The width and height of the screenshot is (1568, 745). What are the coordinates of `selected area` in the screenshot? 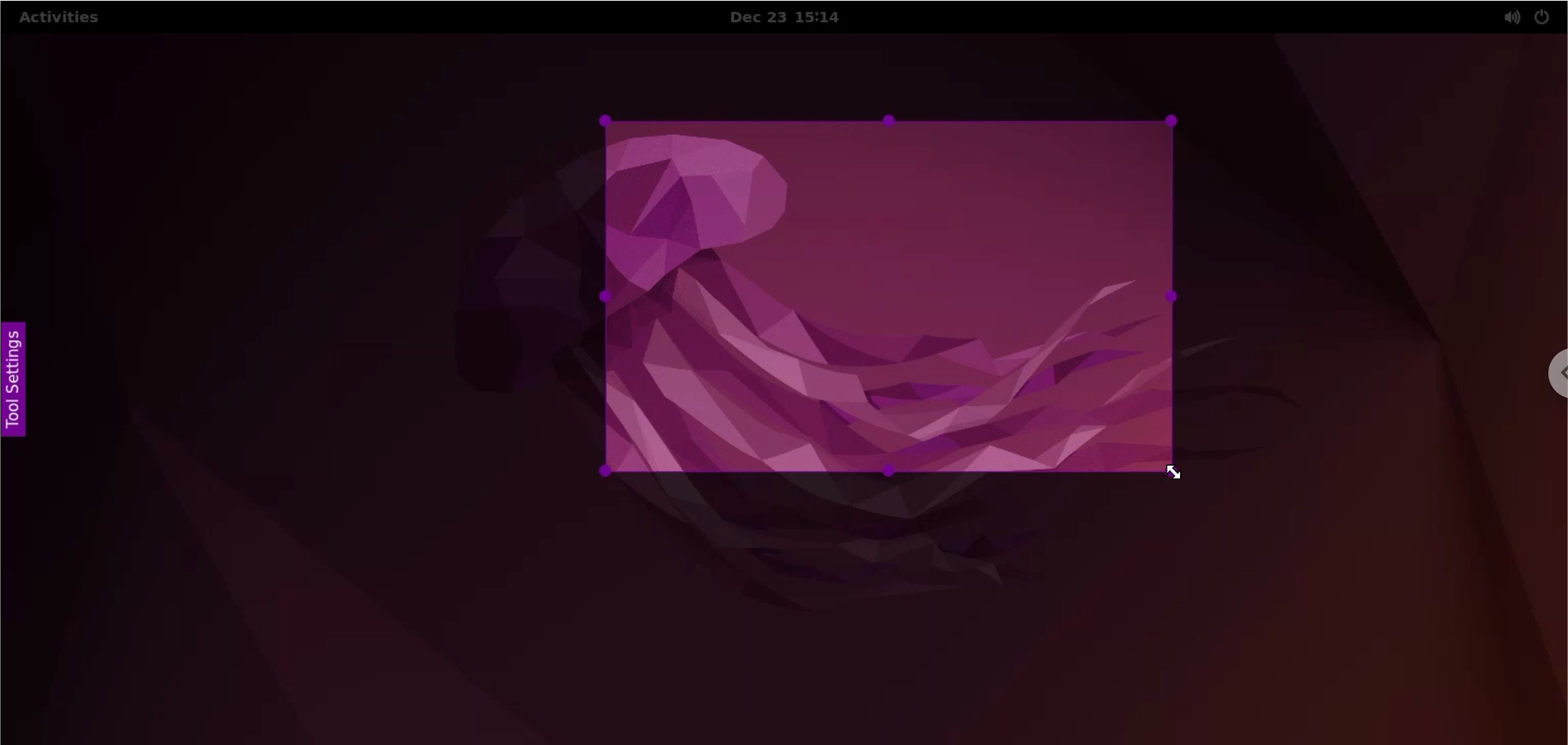 It's located at (886, 297).